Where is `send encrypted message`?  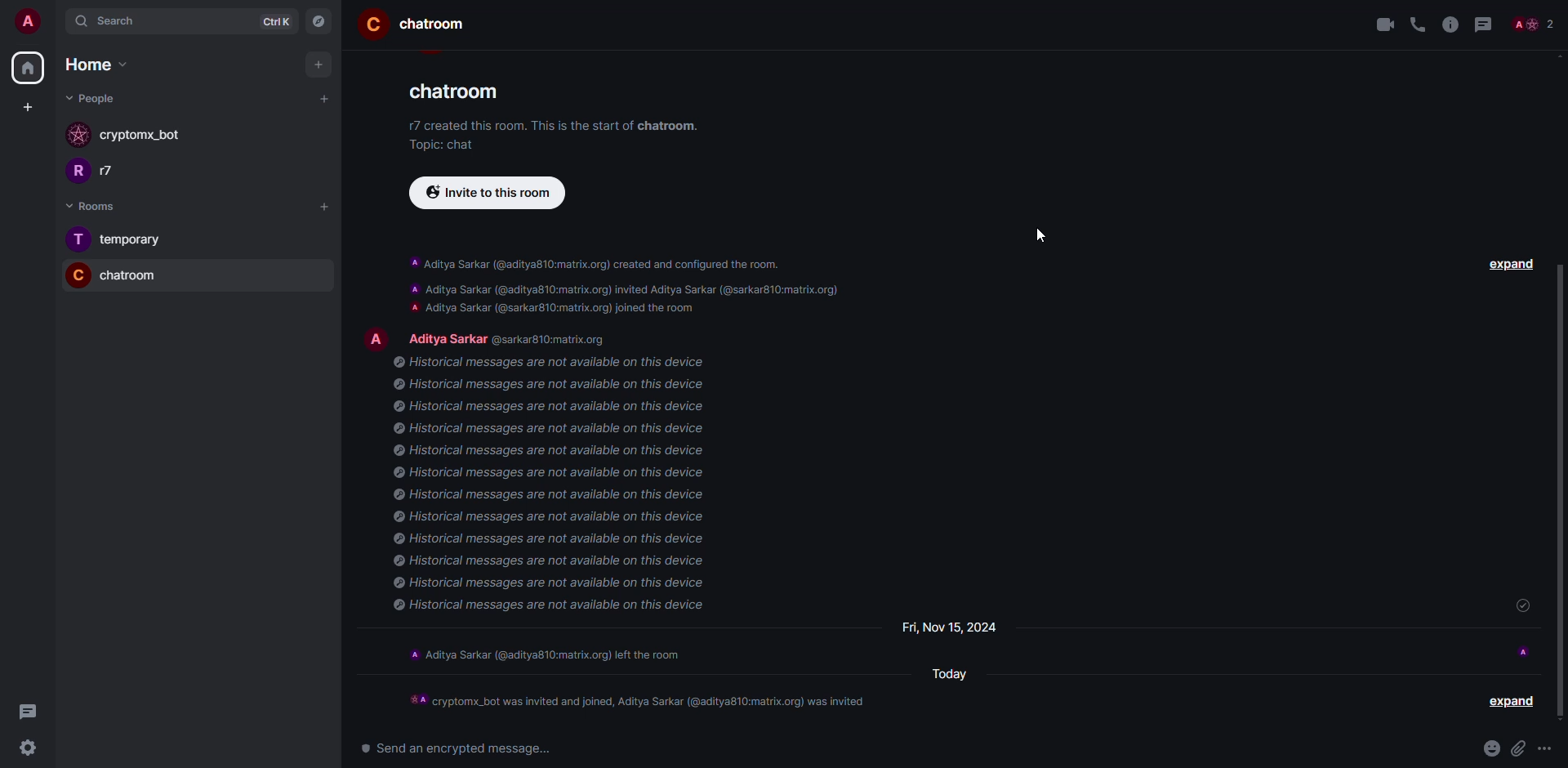
send encrypted message is located at coordinates (450, 747).